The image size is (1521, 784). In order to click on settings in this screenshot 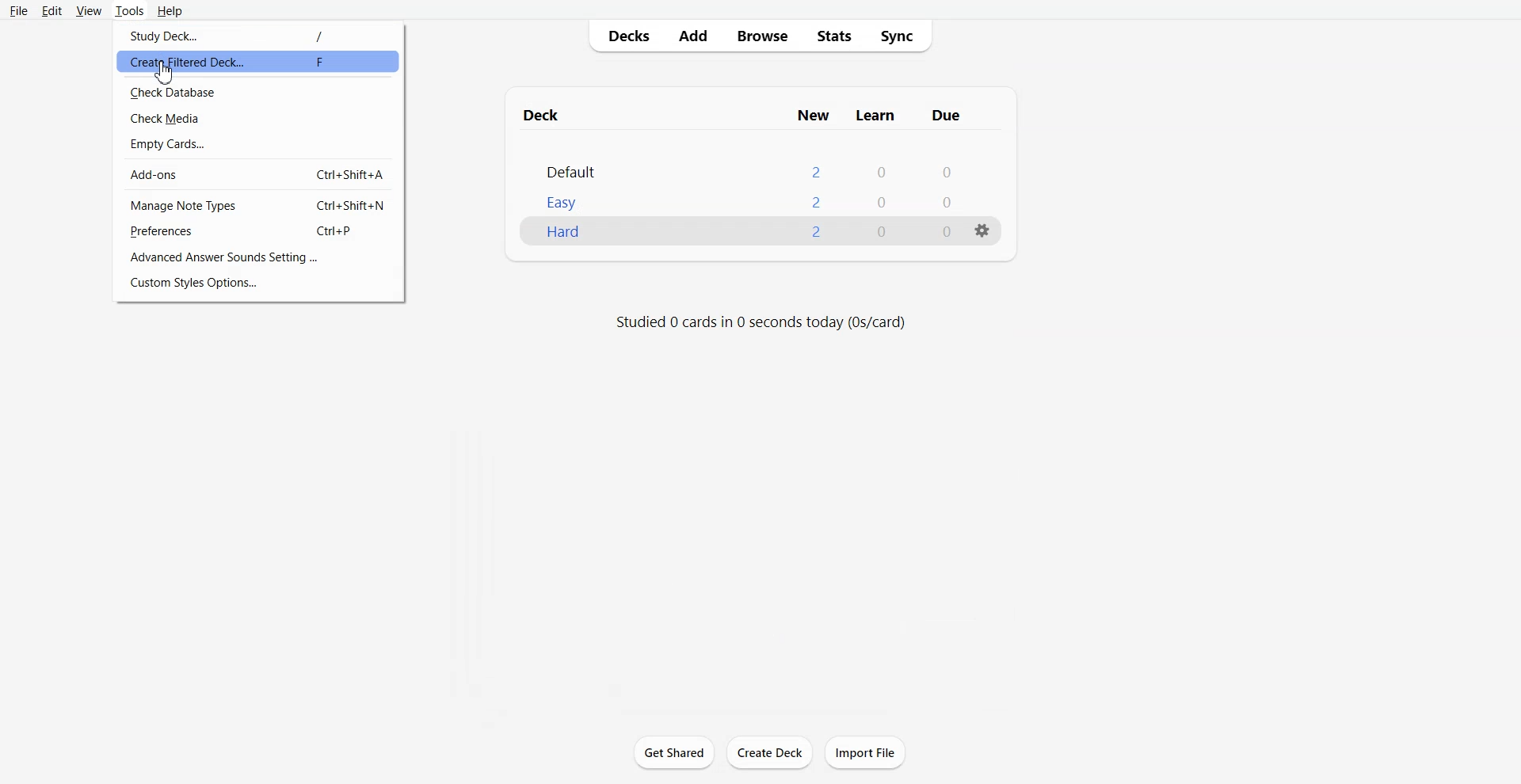, I will do `click(983, 220)`.